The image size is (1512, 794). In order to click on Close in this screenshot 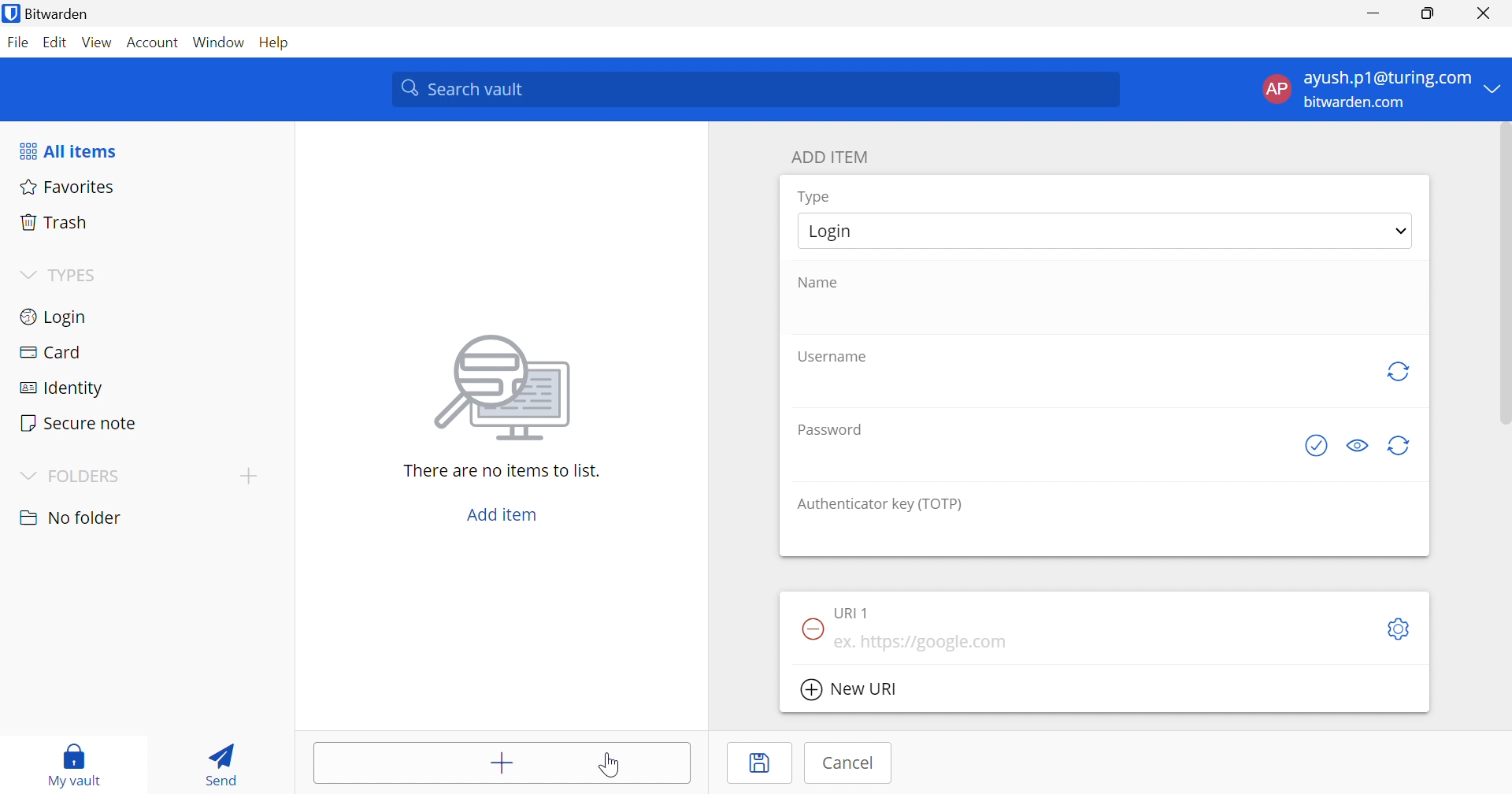, I will do `click(1486, 15)`.